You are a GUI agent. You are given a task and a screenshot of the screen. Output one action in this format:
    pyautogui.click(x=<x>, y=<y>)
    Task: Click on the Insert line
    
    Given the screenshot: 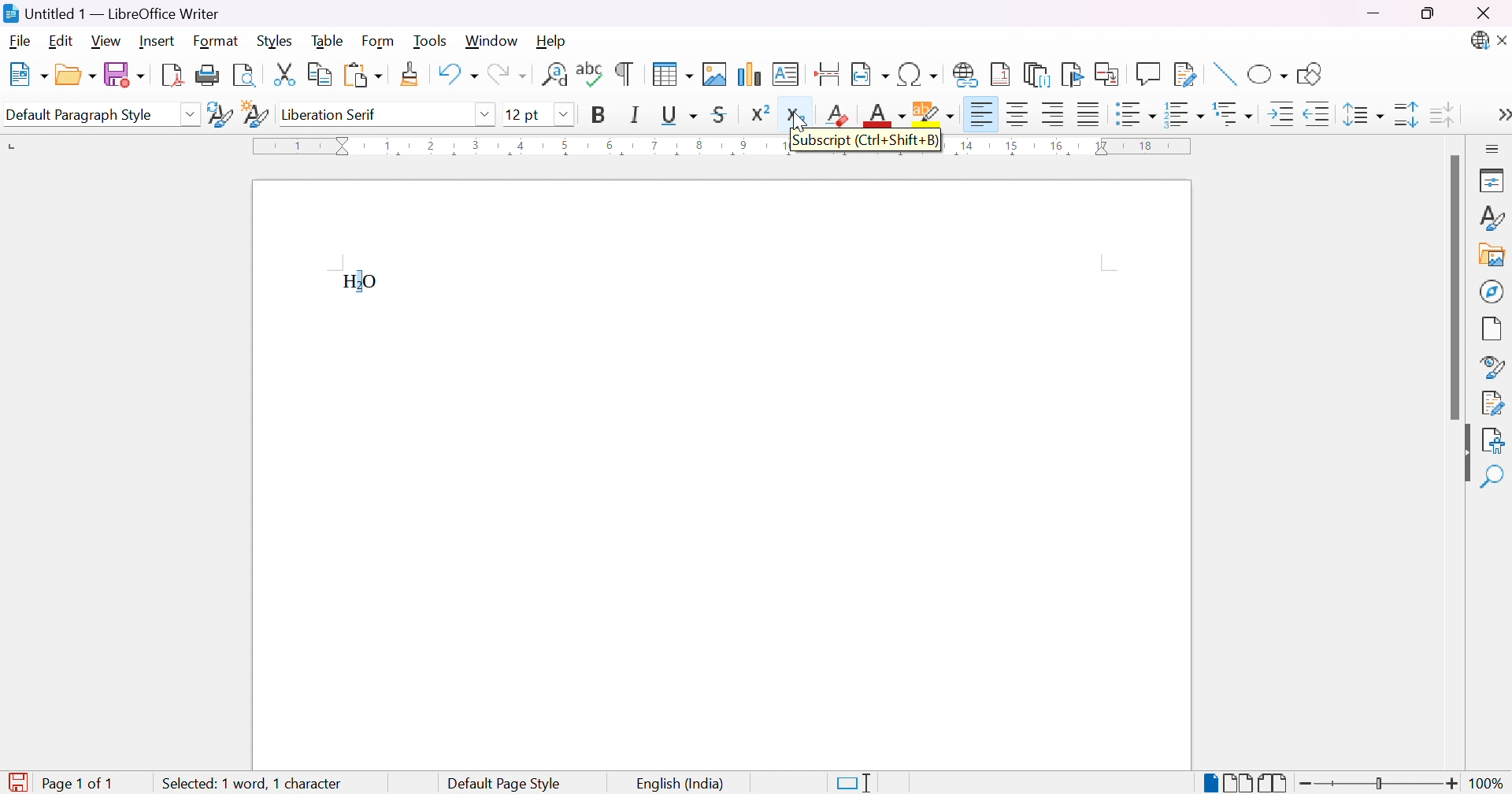 What is the action you would take?
    pyautogui.click(x=1223, y=76)
    